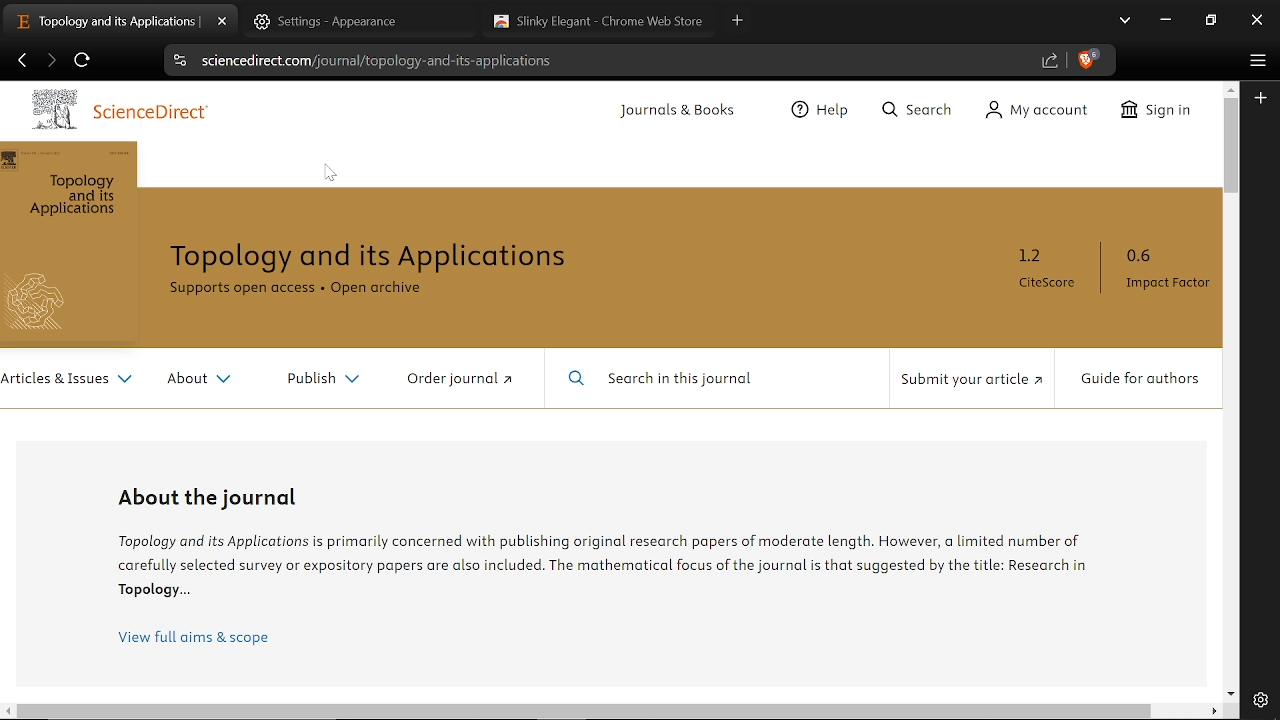 Image resolution: width=1280 pixels, height=720 pixels. Describe the element at coordinates (322, 377) in the screenshot. I see `Publish` at that location.